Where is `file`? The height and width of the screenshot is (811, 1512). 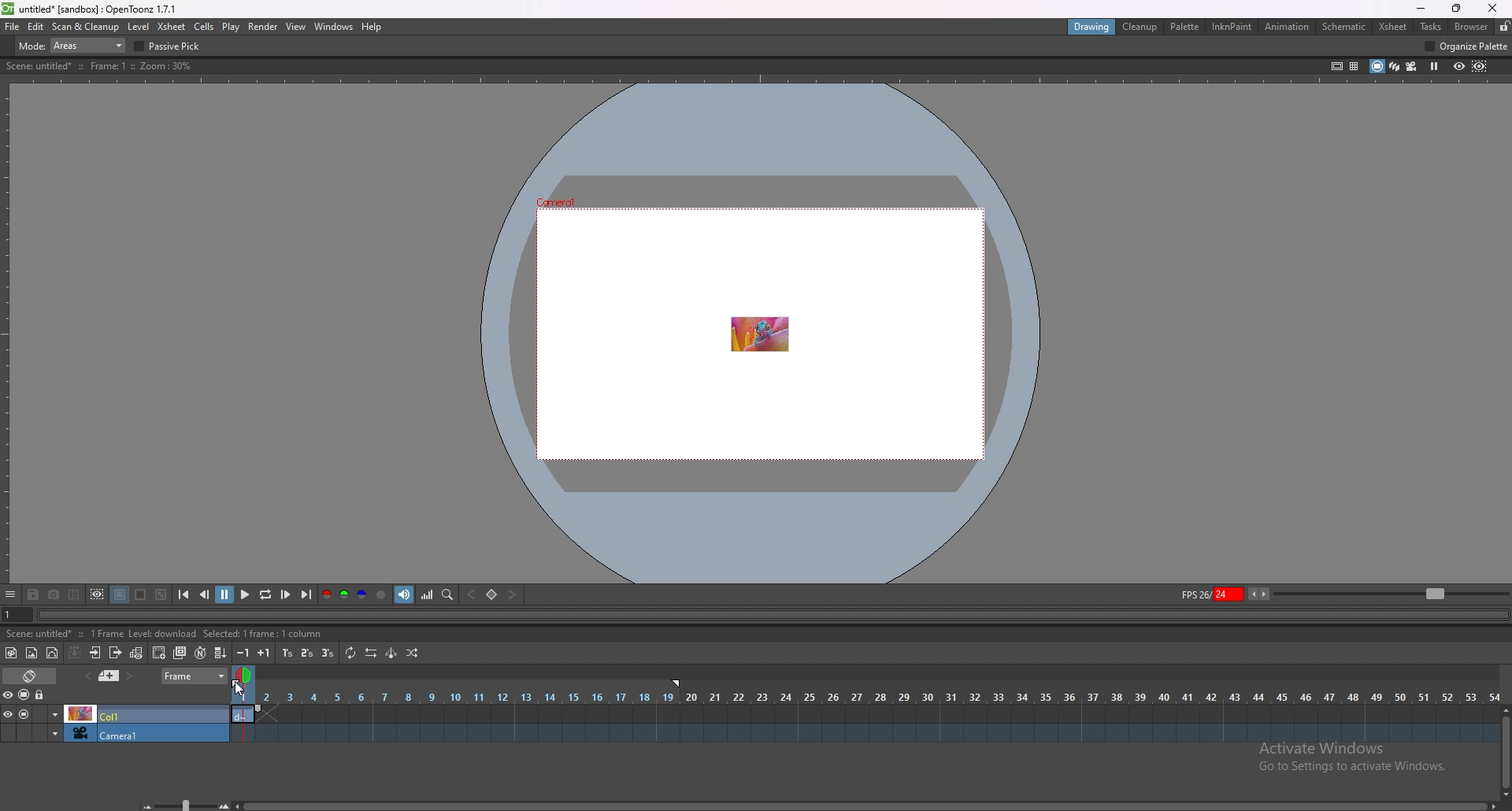
file is located at coordinates (13, 27).